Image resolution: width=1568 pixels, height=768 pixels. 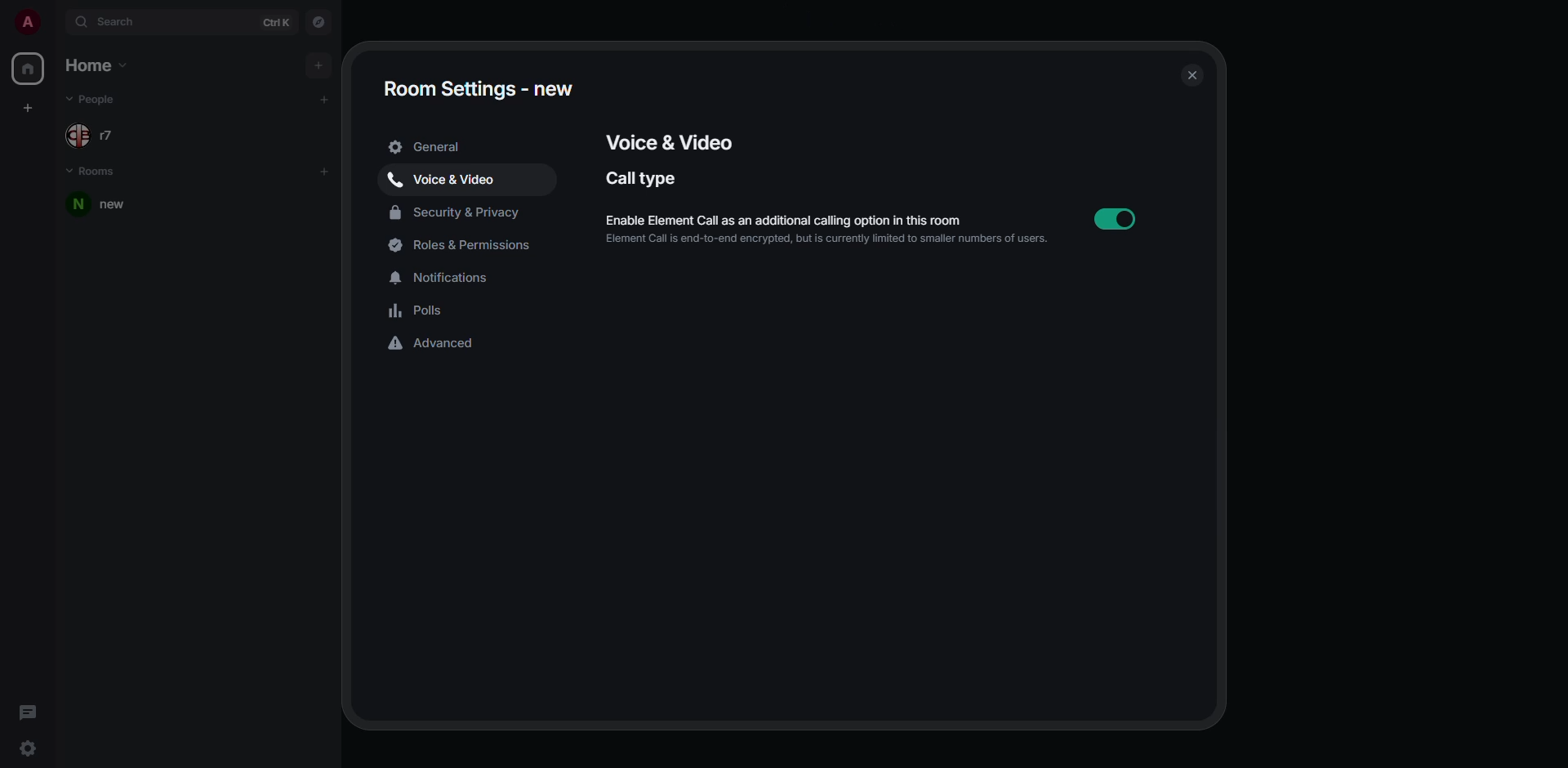 What do you see at coordinates (27, 23) in the screenshot?
I see `profile` at bounding box center [27, 23].